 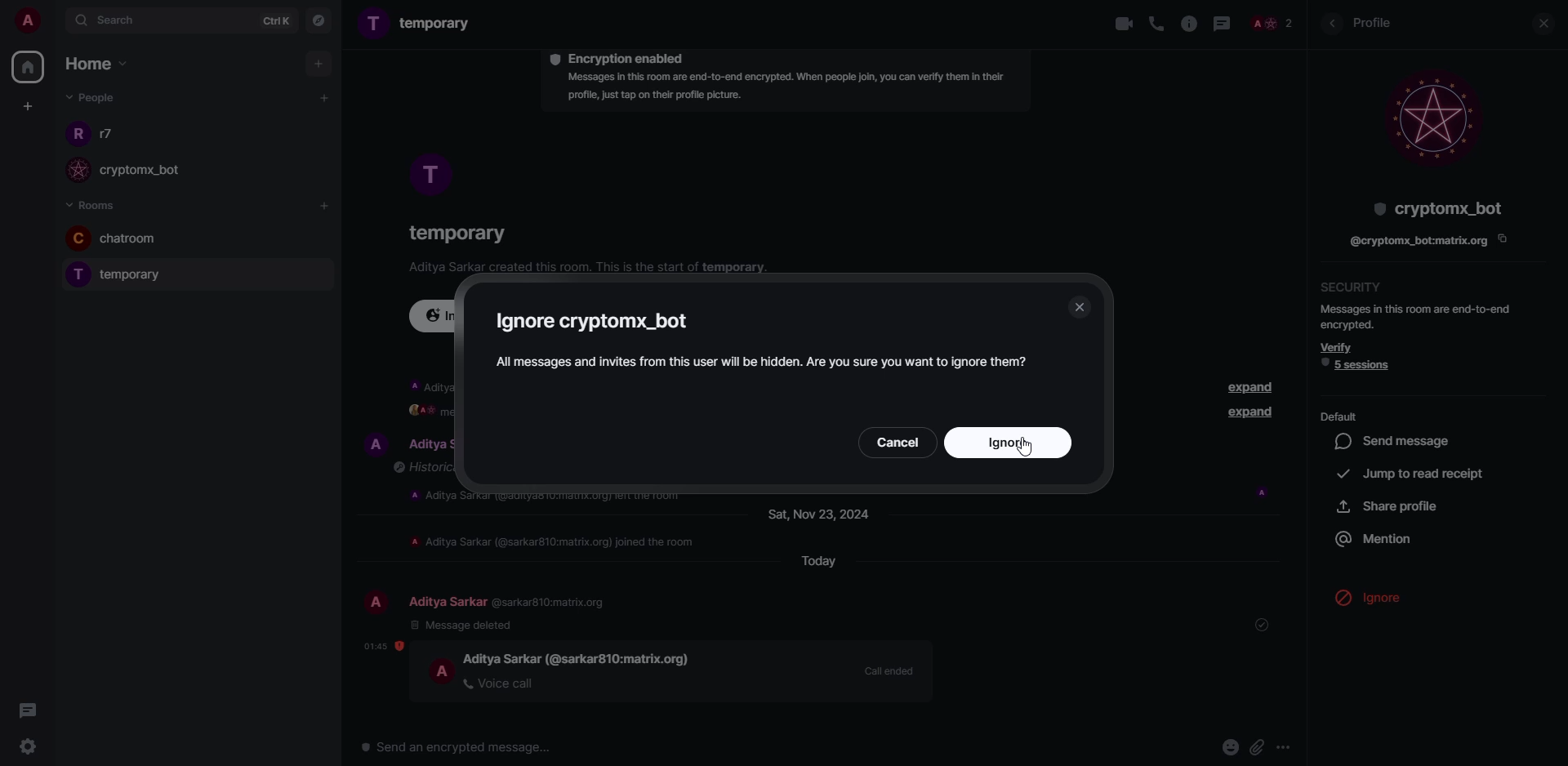 What do you see at coordinates (455, 230) in the screenshot?
I see `room` at bounding box center [455, 230].